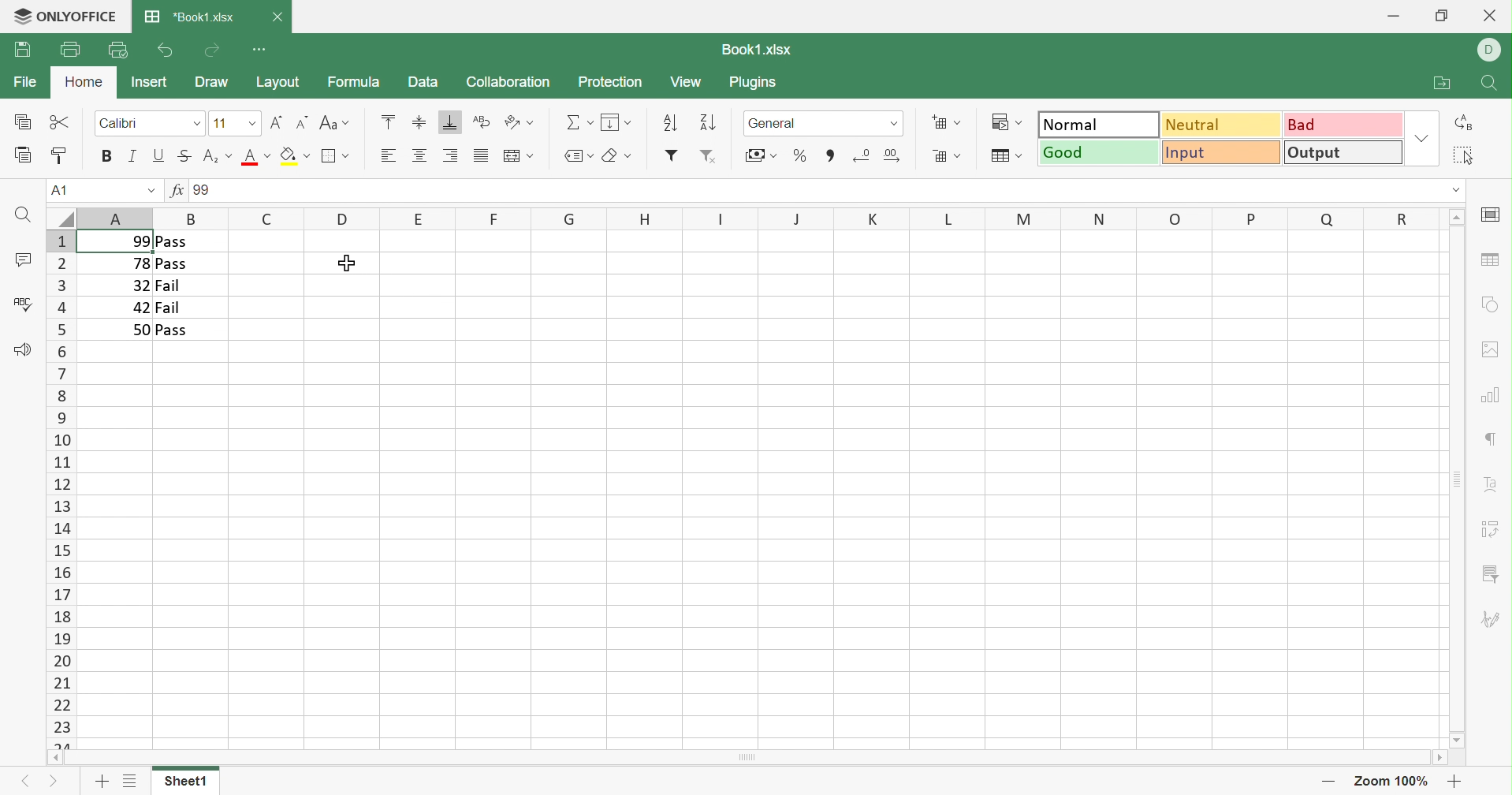 This screenshot has width=1512, height=795. What do you see at coordinates (747, 759) in the screenshot?
I see `Scroll bar` at bounding box center [747, 759].